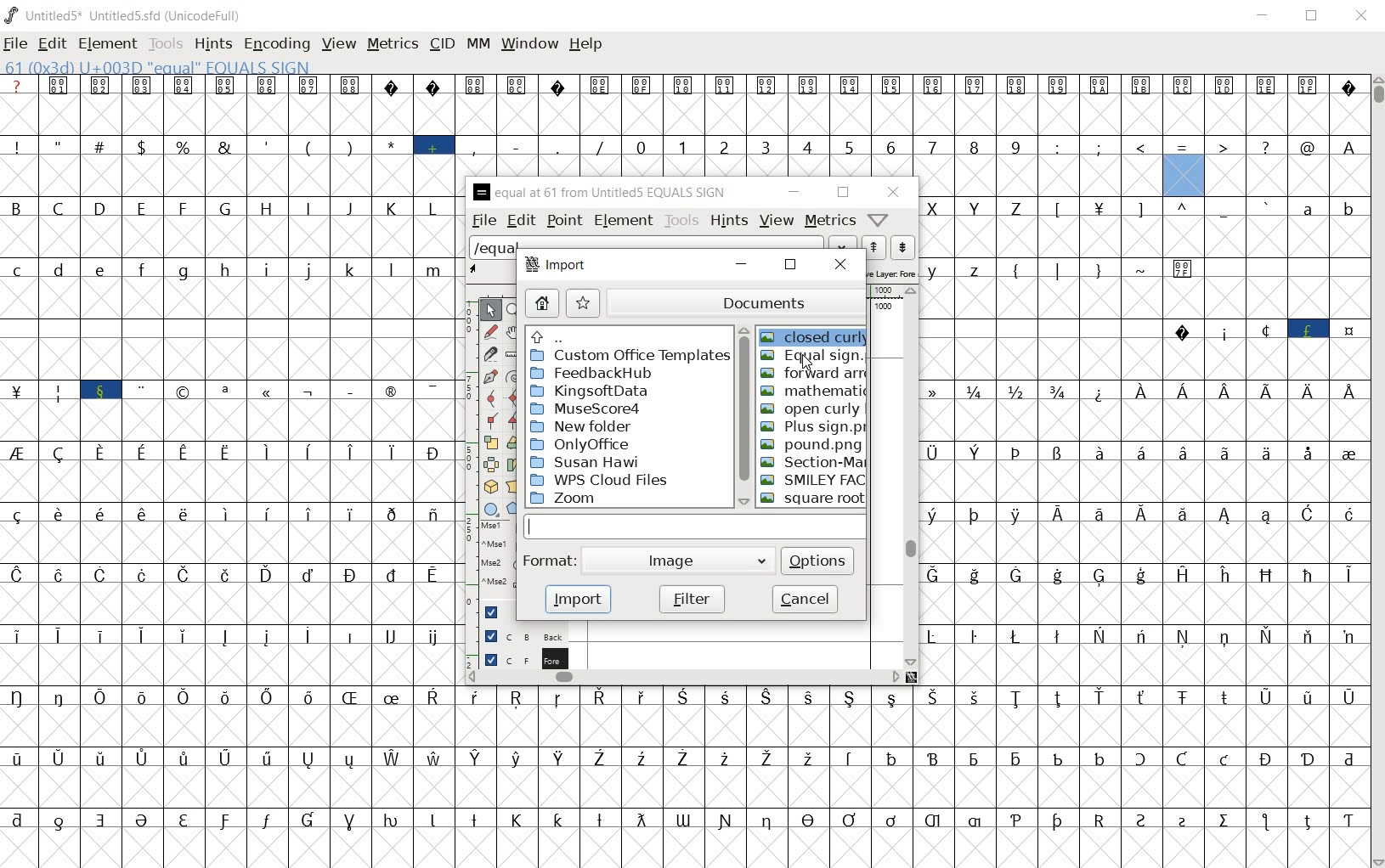 This screenshot has height=868, width=1385. I want to click on glyph characters, so click(913, 775).